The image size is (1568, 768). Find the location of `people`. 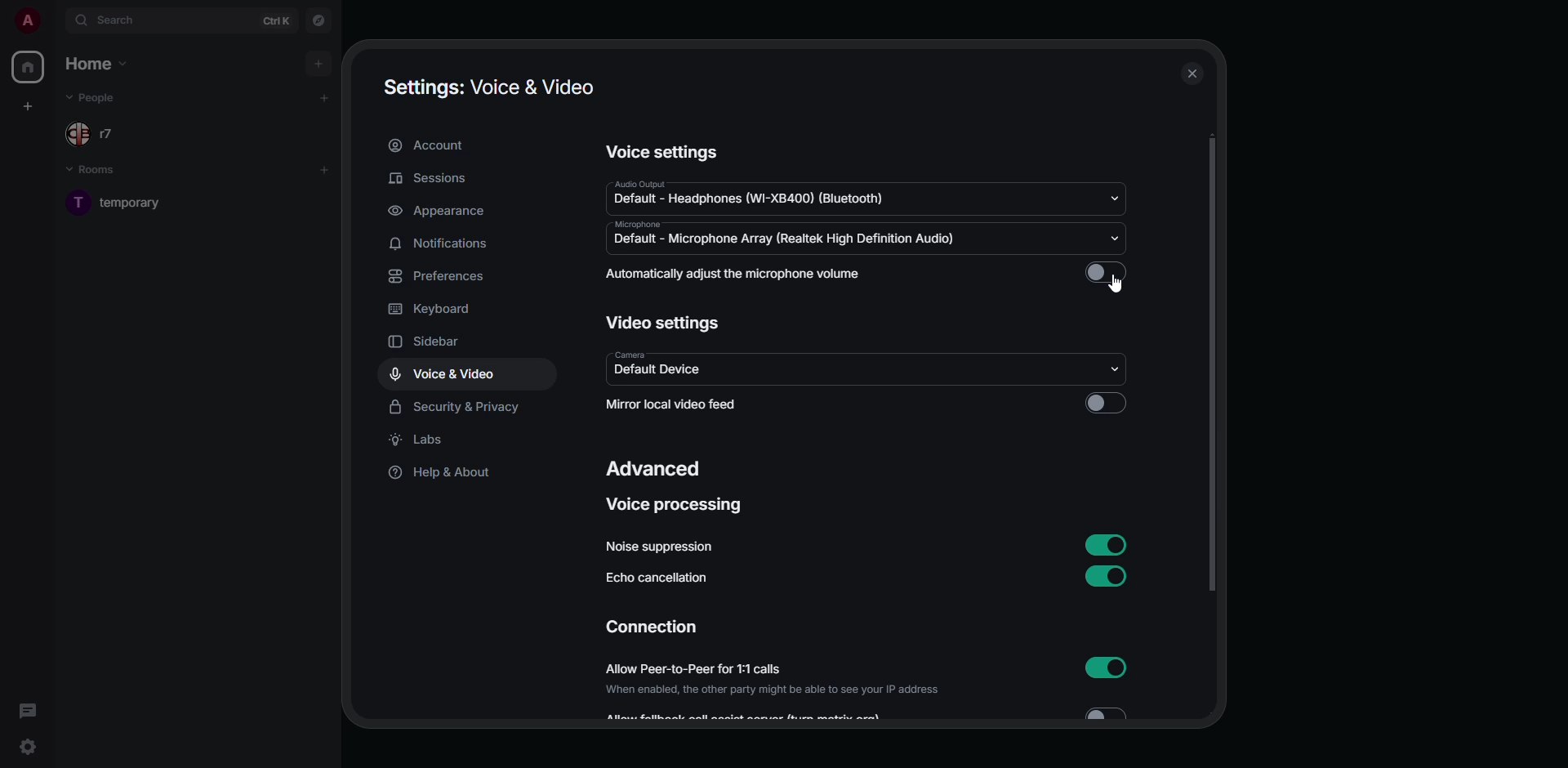

people is located at coordinates (98, 97).